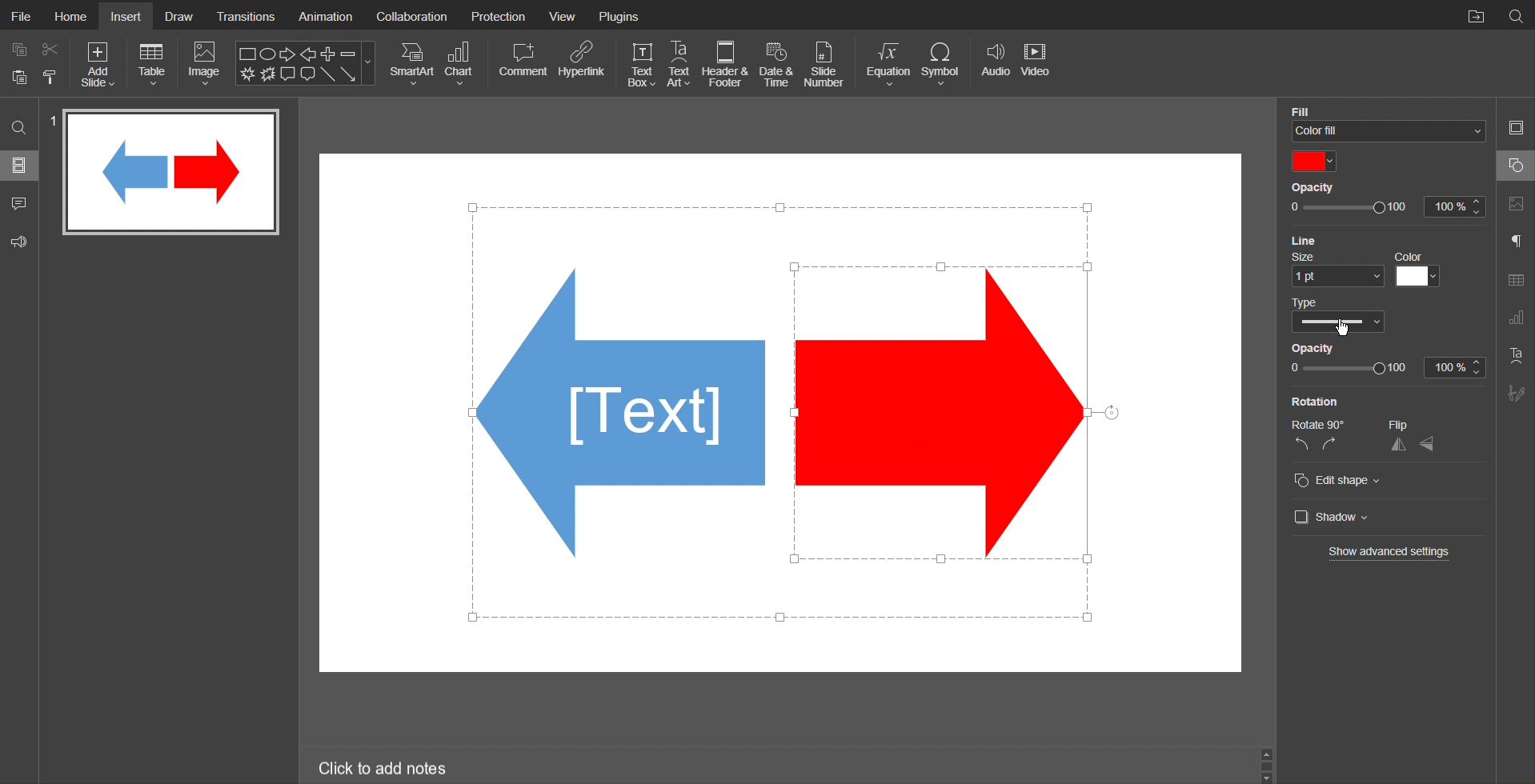 The image size is (1535, 784). What do you see at coordinates (1515, 205) in the screenshot?
I see `Image Settings` at bounding box center [1515, 205].